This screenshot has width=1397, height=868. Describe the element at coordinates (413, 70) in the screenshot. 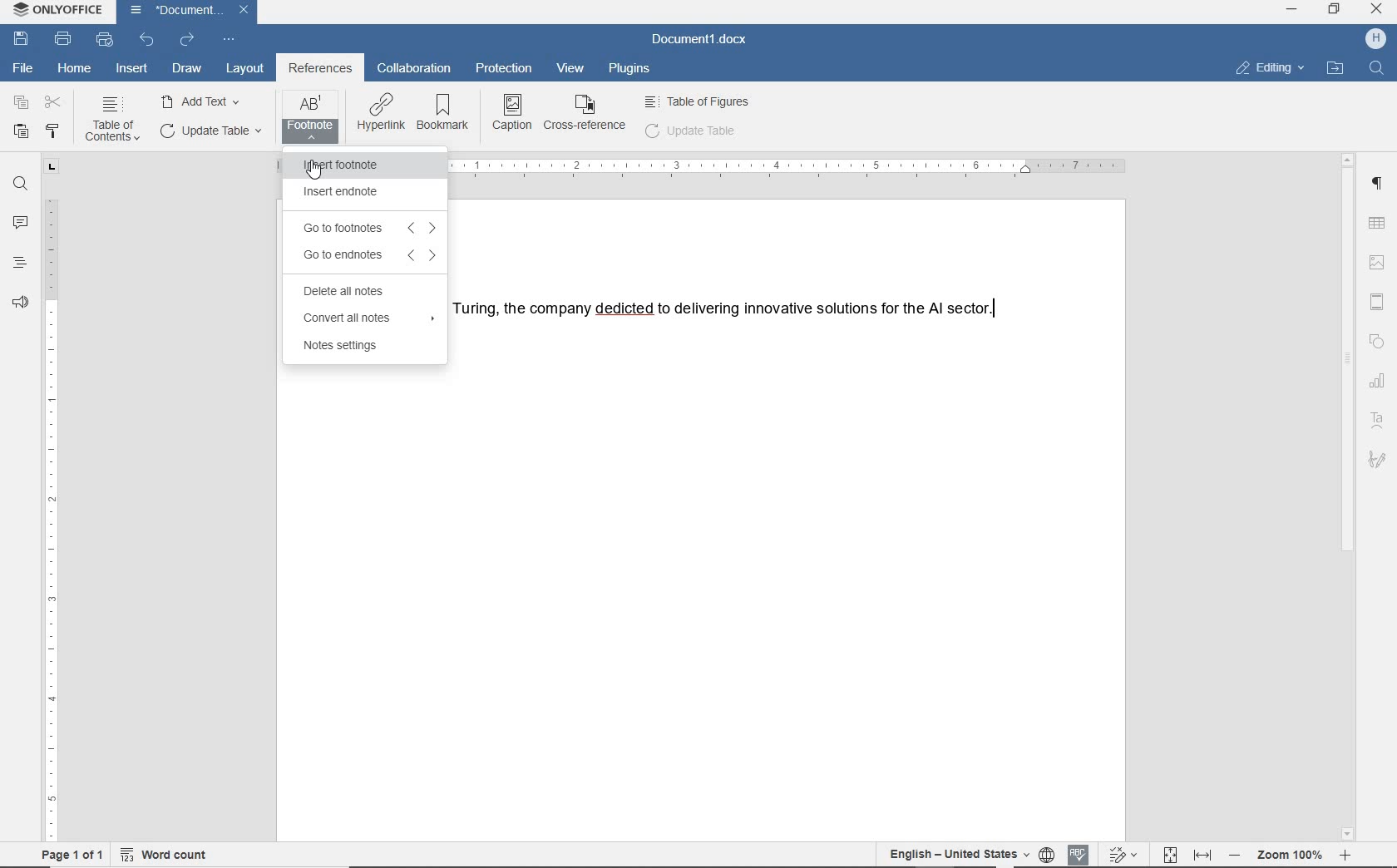

I see `collaboration` at that location.